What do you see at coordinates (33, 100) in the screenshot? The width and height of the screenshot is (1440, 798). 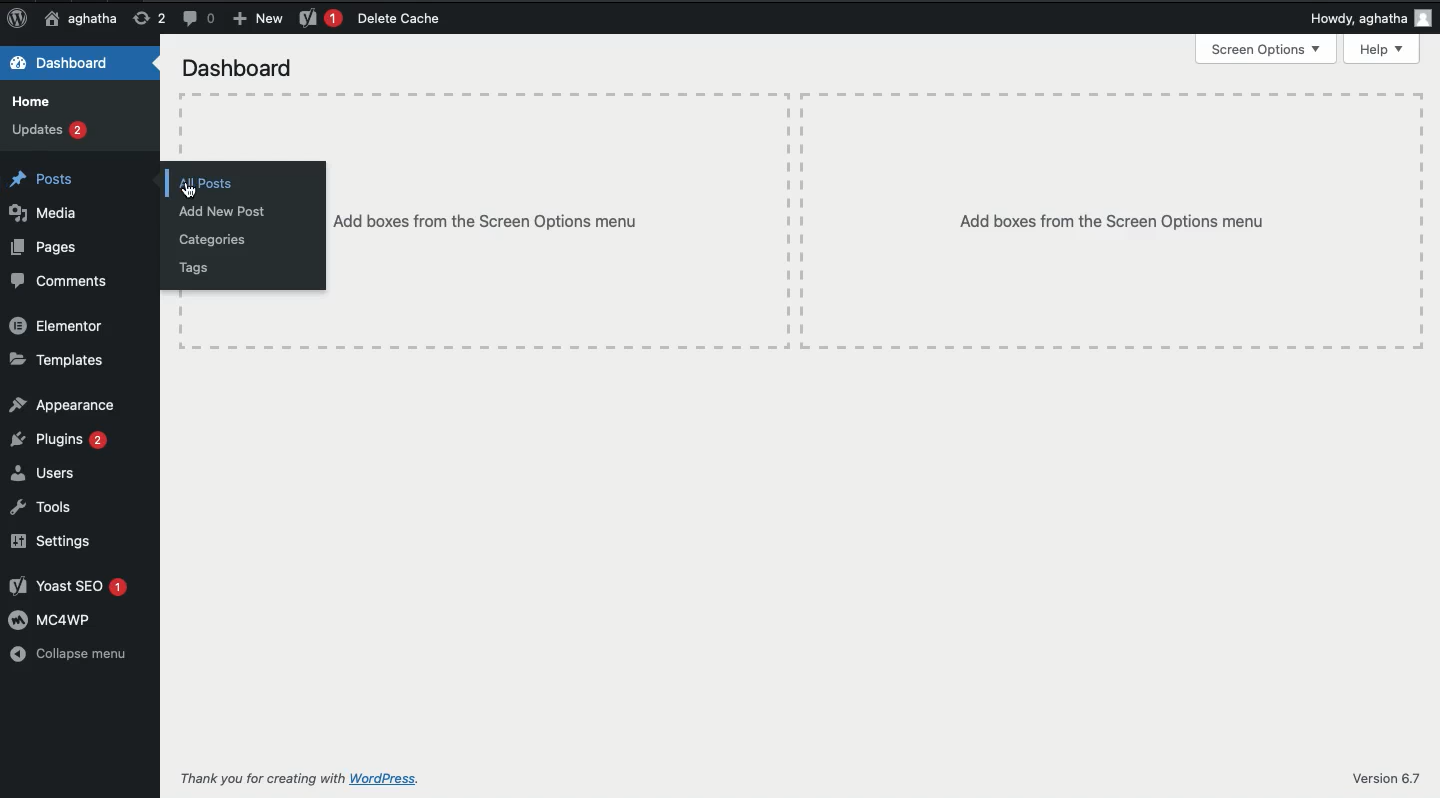 I see `Home` at bounding box center [33, 100].